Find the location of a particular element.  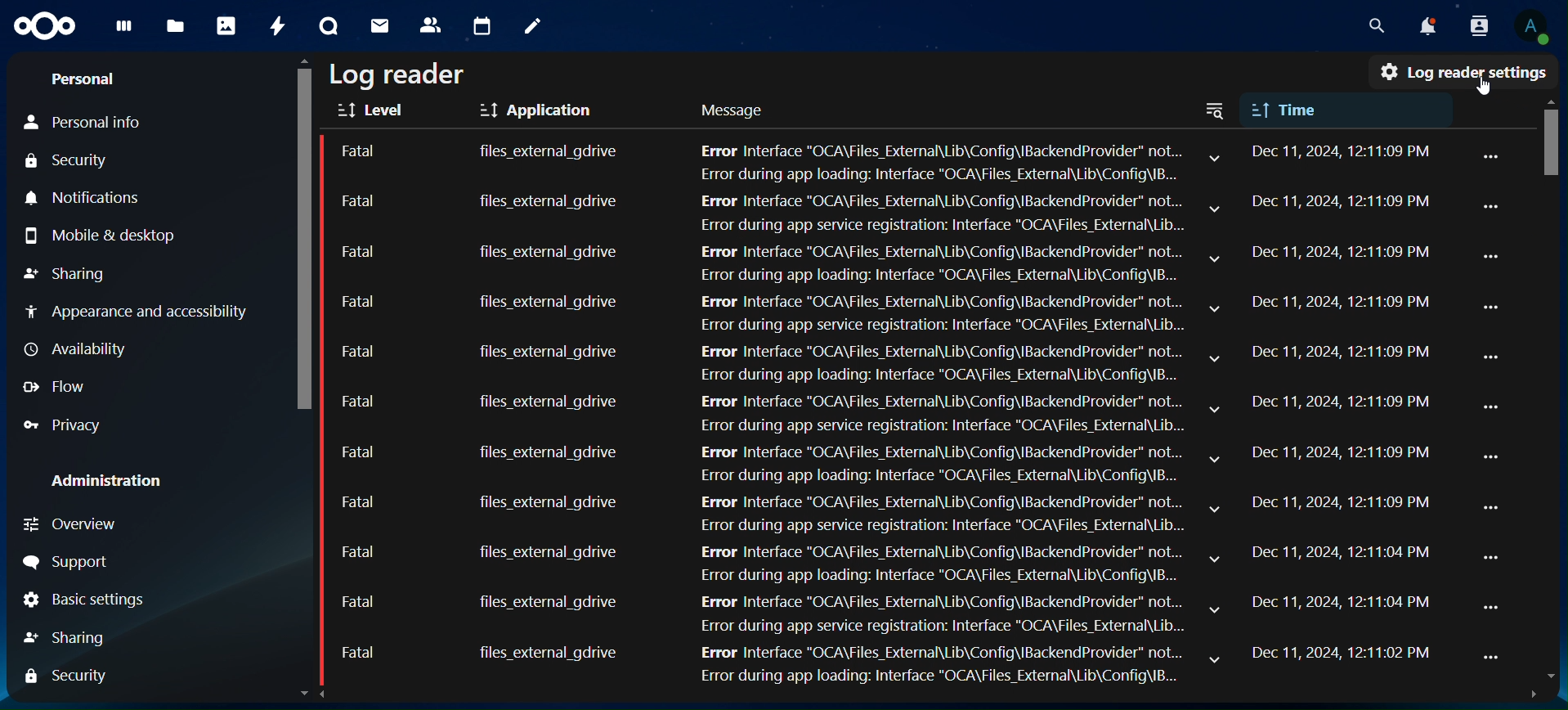

files is located at coordinates (174, 26).